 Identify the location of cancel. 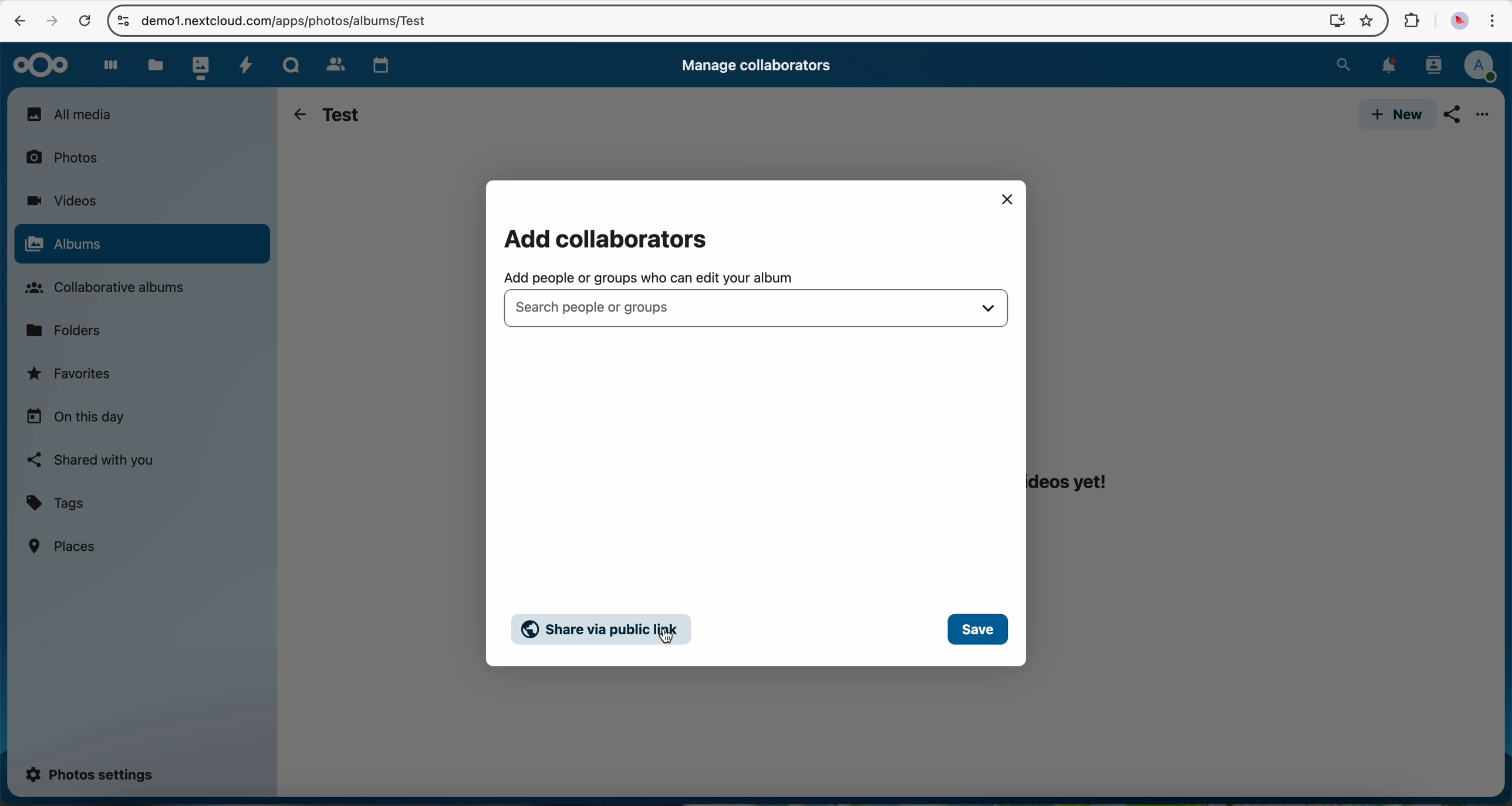
(85, 22).